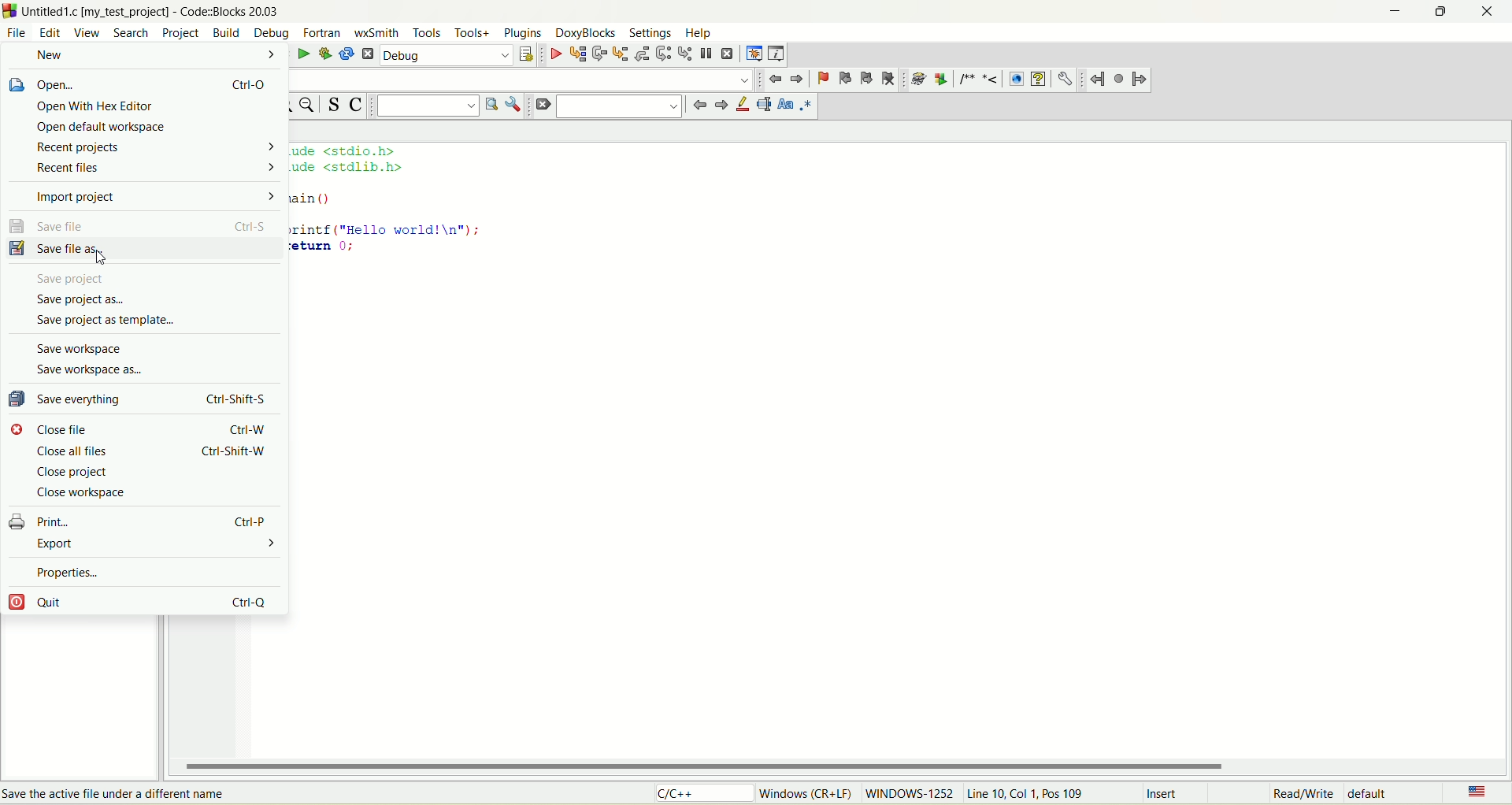  What do you see at coordinates (867, 79) in the screenshot?
I see `next bookmark` at bounding box center [867, 79].